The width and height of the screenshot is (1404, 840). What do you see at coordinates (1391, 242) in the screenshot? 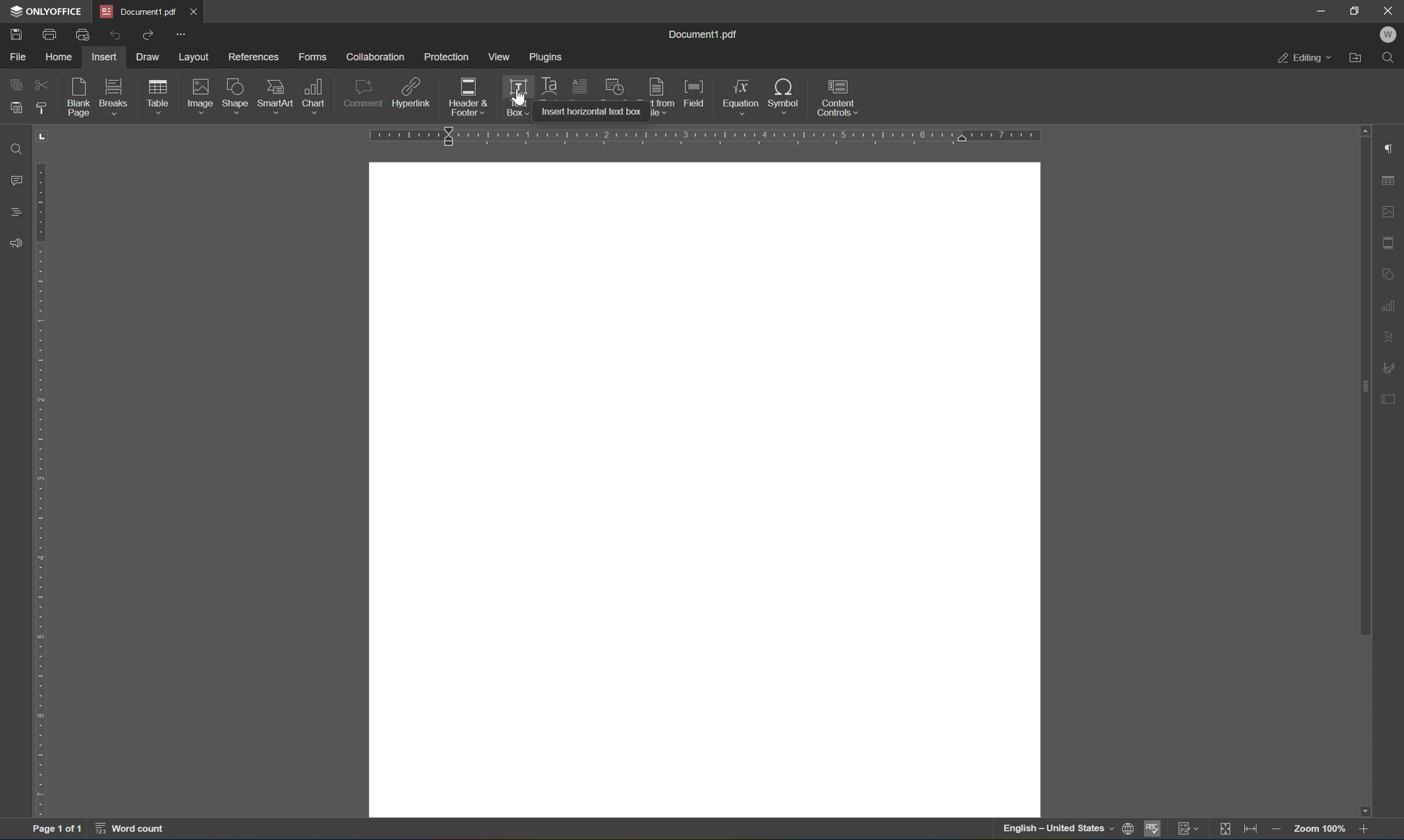
I see `Header and footer settings` at bounding box center [1391, 242].